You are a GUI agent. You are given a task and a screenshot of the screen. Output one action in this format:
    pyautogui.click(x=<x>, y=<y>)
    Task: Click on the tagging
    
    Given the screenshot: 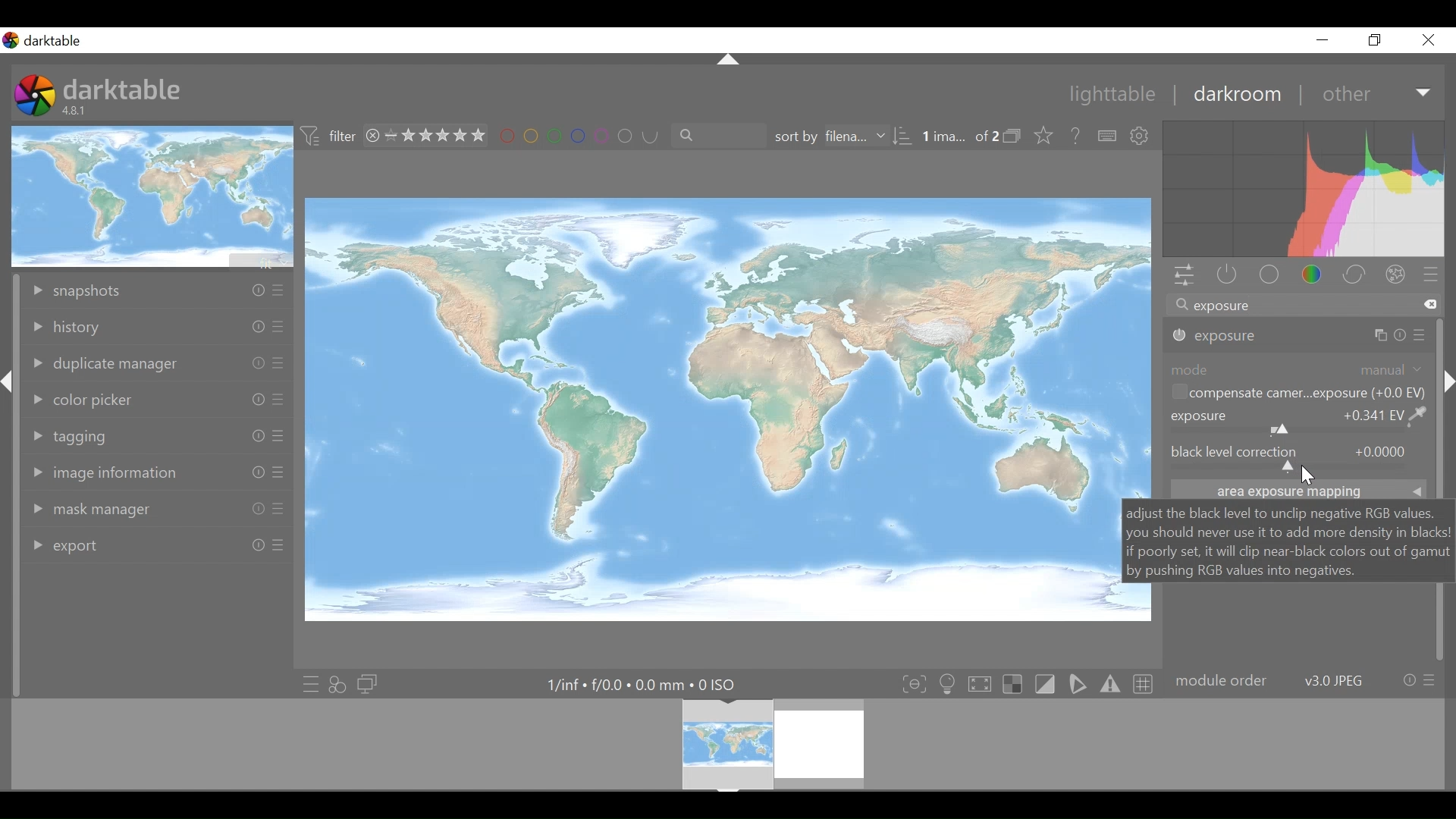 What is the action you would take?
    pyautogui.click(x=158, y=435)
    